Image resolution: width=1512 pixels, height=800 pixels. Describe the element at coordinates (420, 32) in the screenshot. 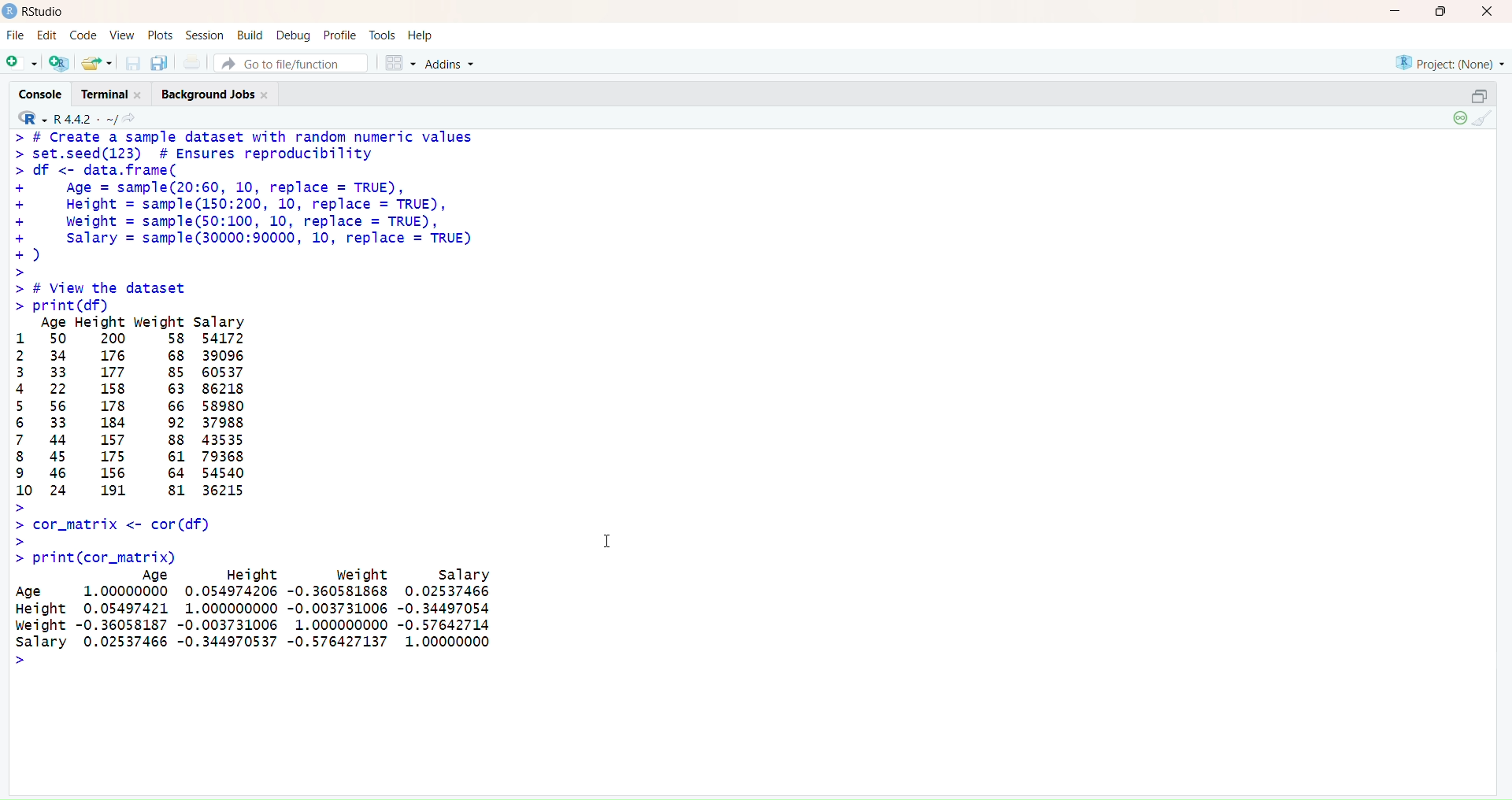

I see `Help` at that location.